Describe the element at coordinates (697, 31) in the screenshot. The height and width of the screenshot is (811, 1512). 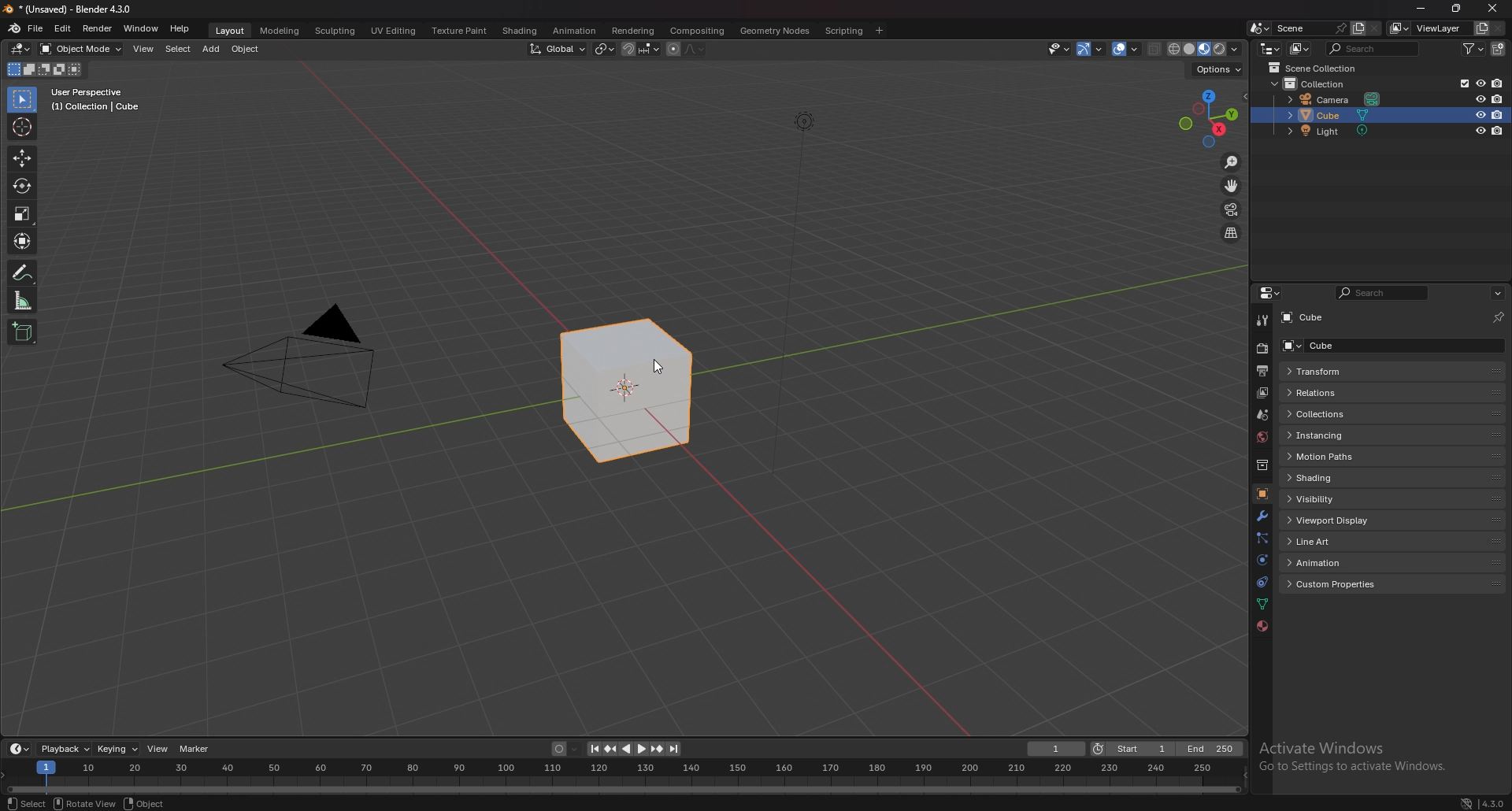
I see `compisiting` at that location.